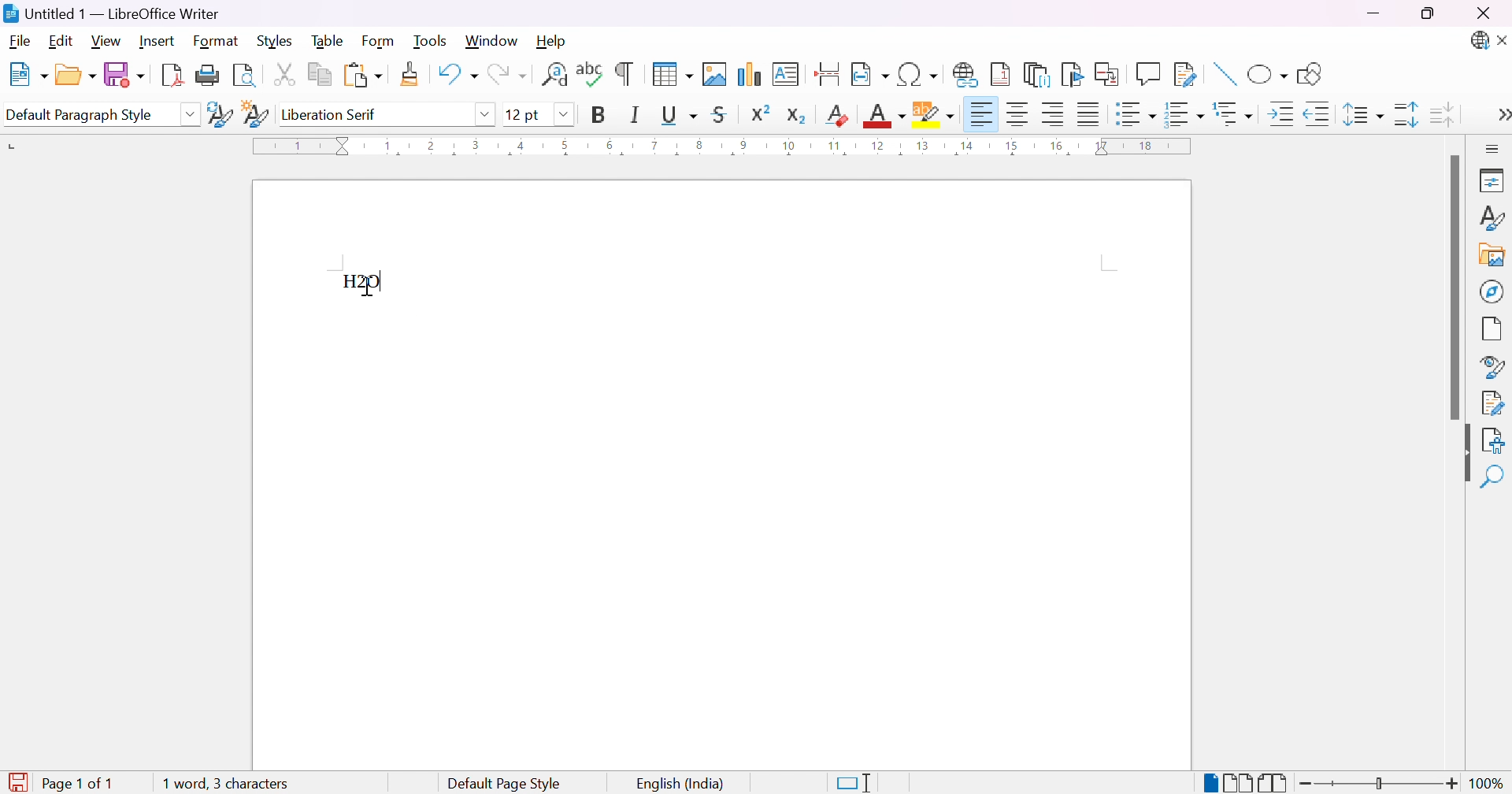  I want to click on Bold, so click(598, 114).